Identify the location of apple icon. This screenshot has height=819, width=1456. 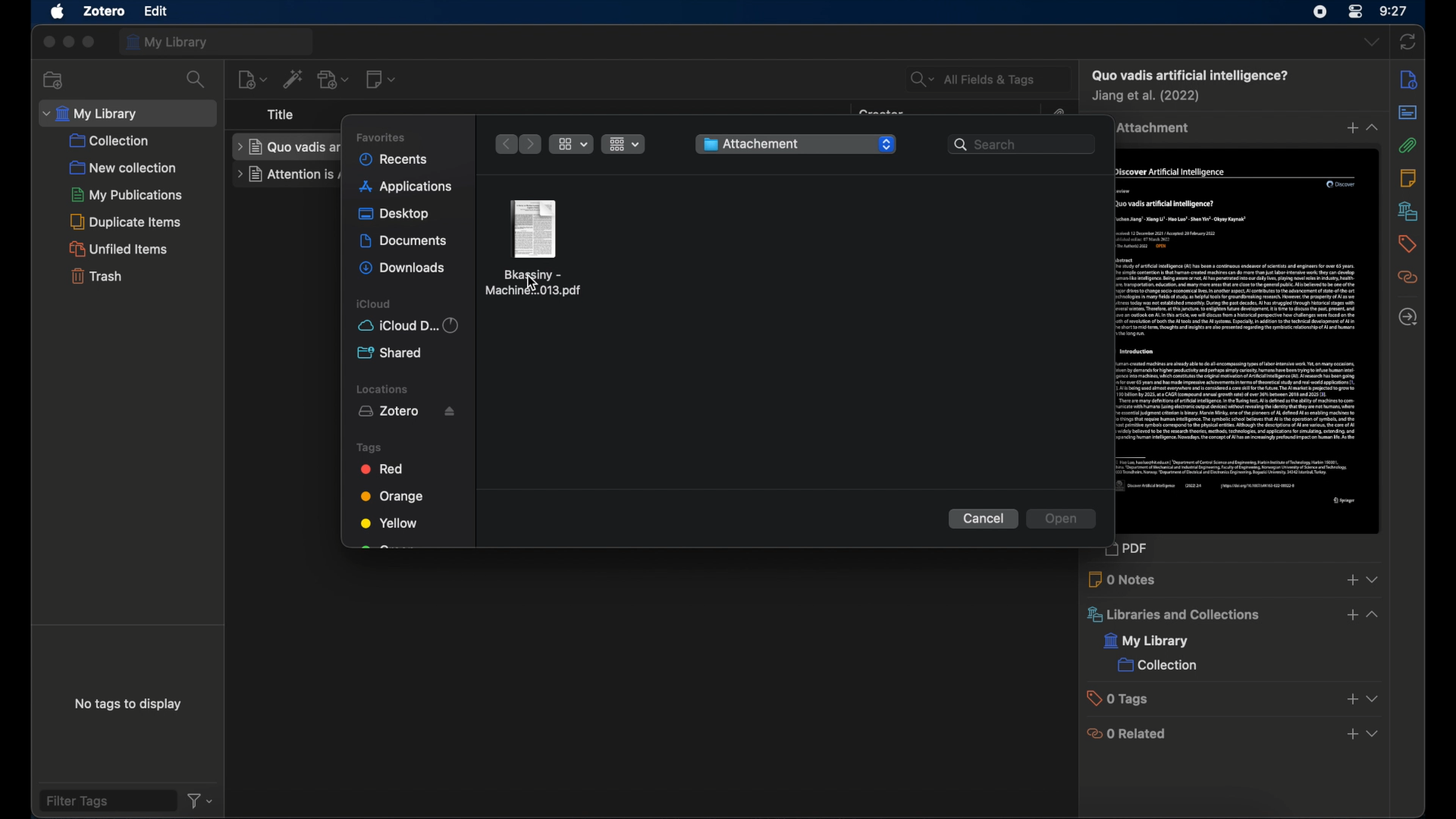
(58, 12).